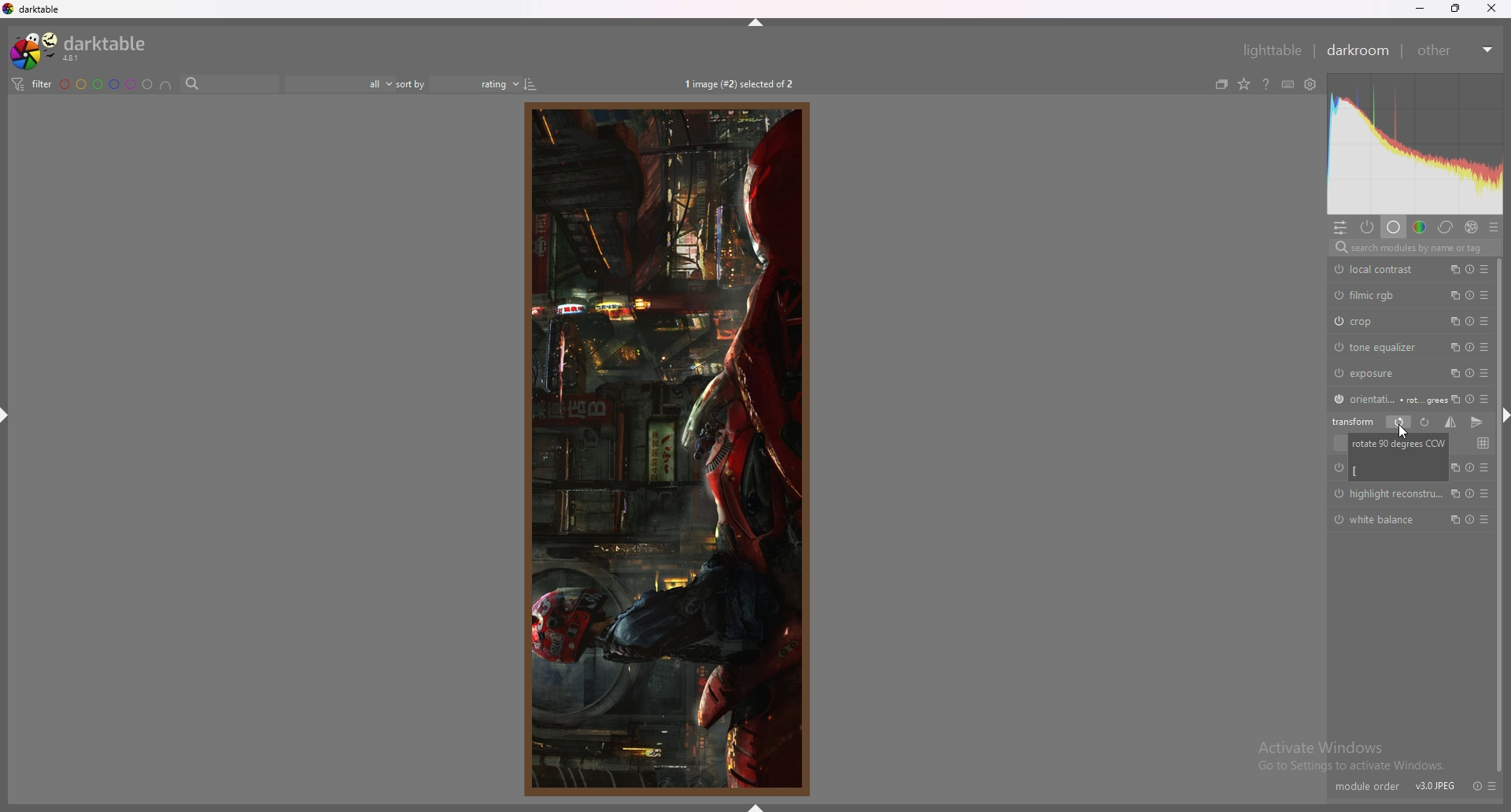  Describe the element at coordinates (1406, 53) in the screenshot. I see `divider` at that location.